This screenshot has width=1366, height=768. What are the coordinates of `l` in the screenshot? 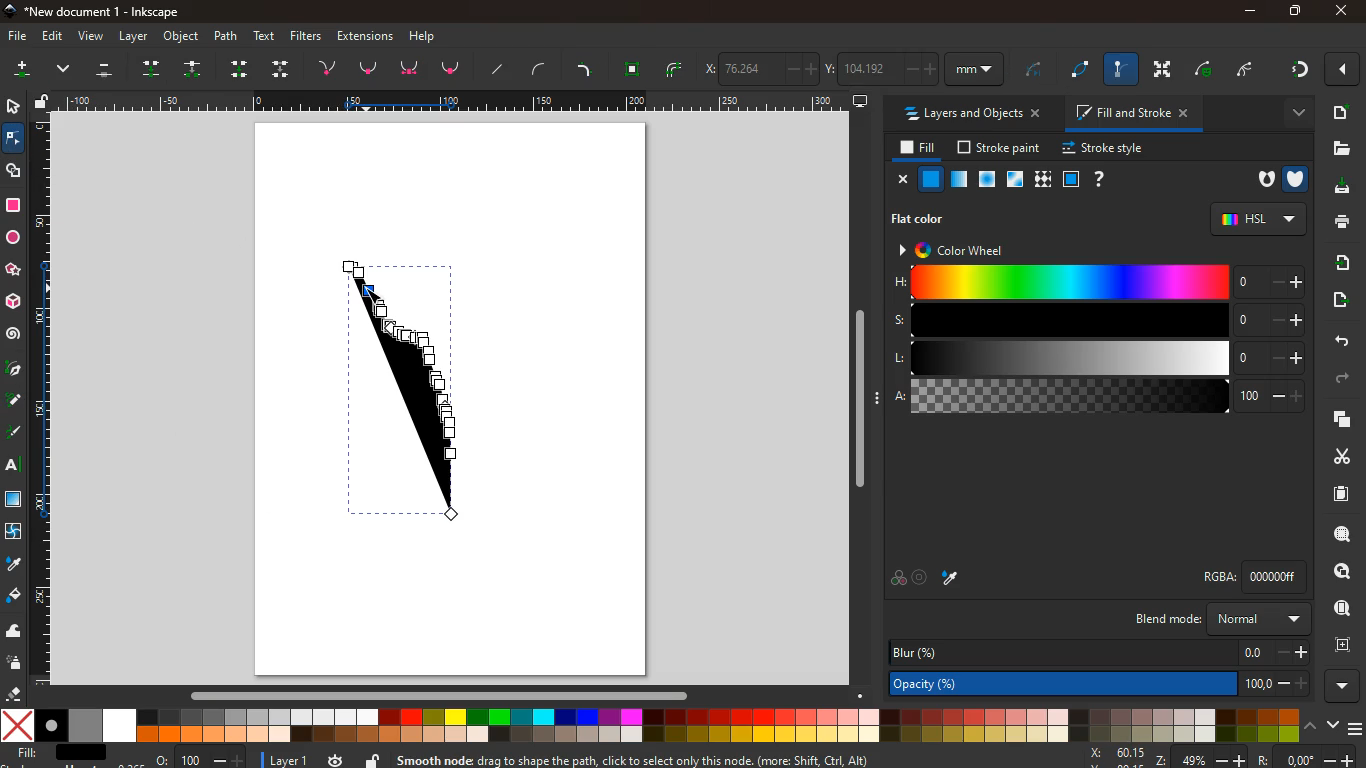 It's located at (1094, 358).